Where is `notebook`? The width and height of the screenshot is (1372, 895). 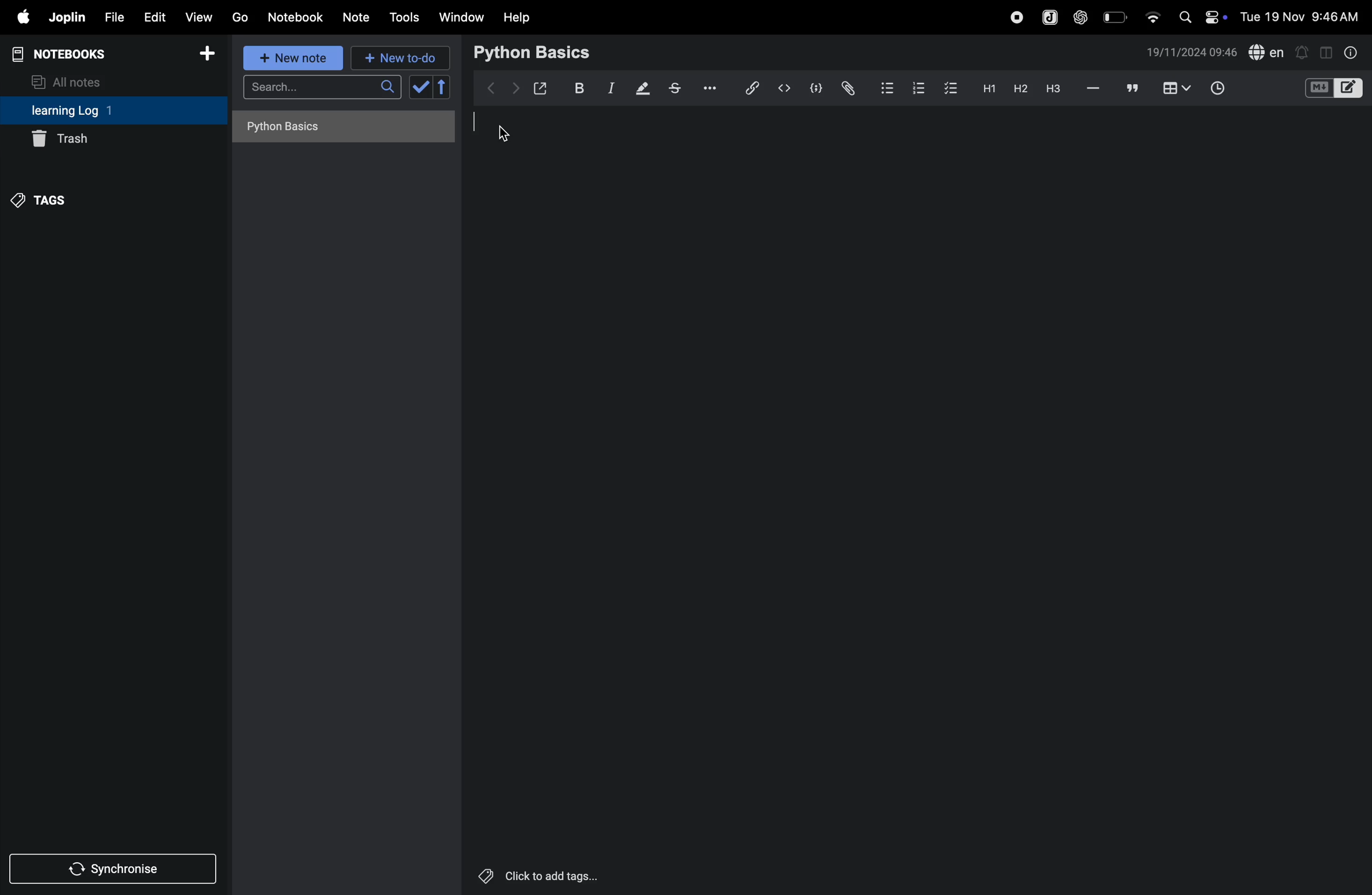 notebook is located at coordinates (297, 16).